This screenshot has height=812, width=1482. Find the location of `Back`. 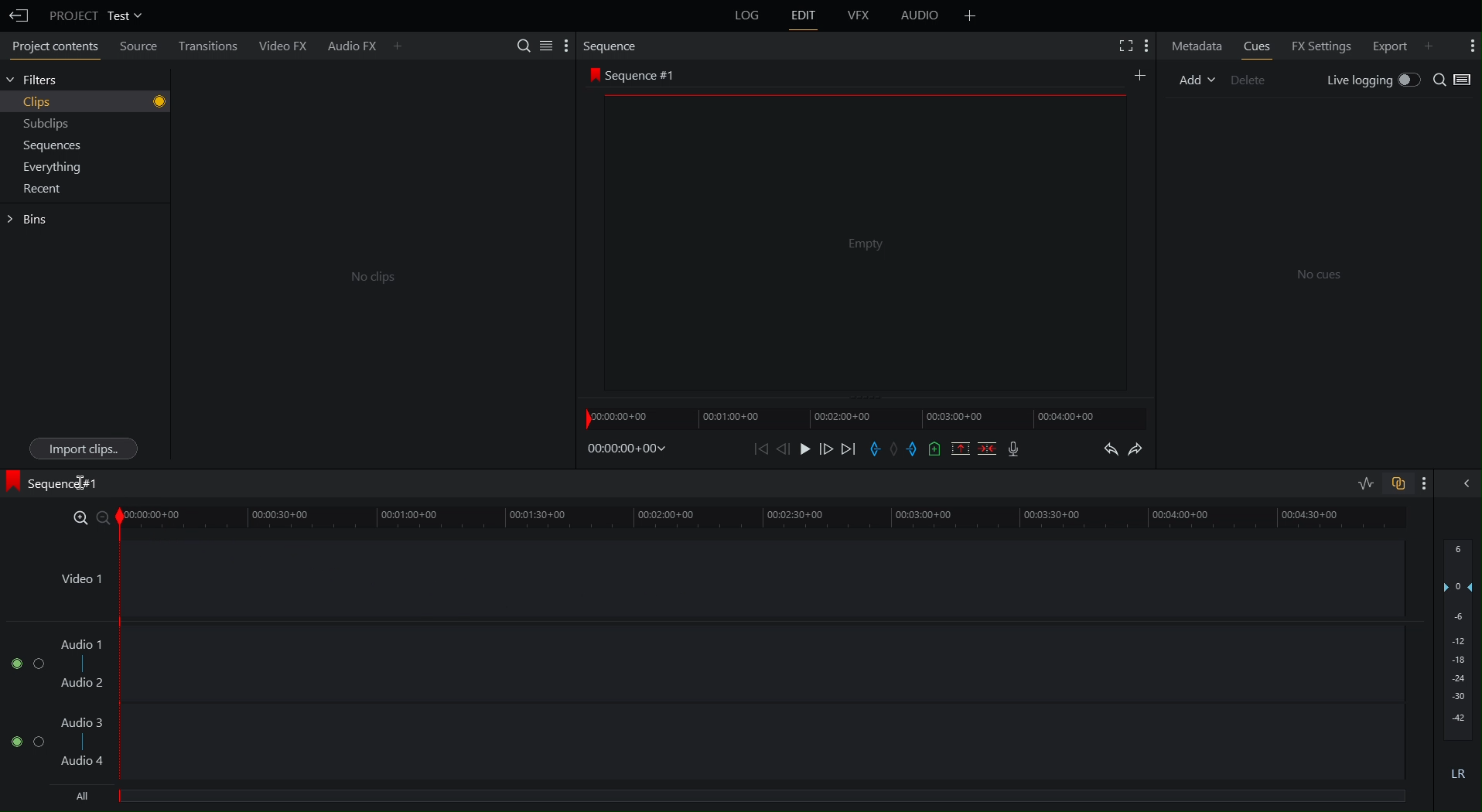

Back is located at coordinates (18, 13).